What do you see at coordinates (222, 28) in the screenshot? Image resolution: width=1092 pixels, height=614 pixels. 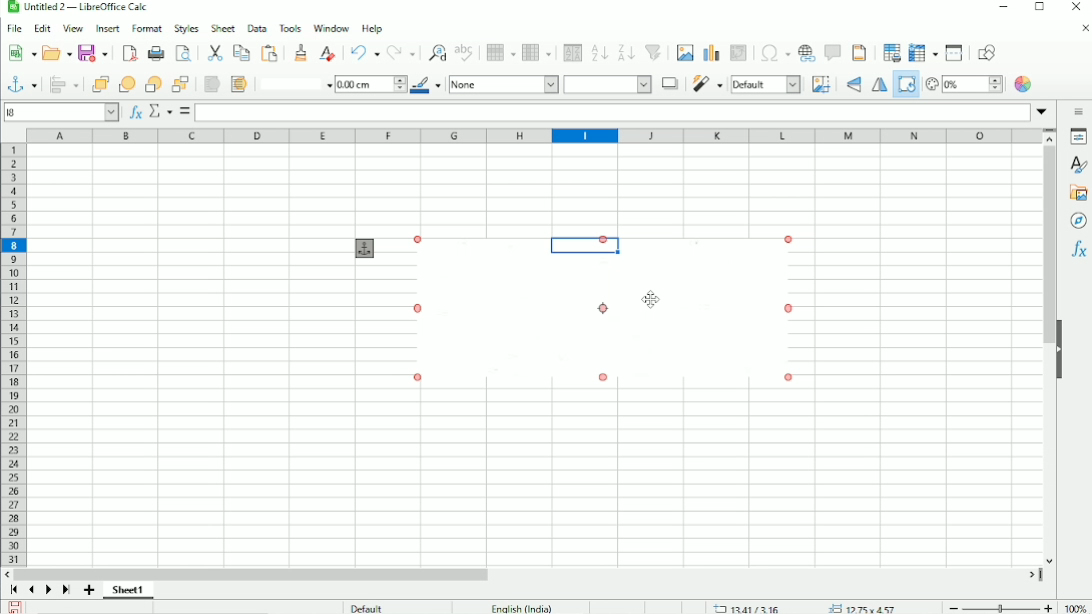 I see `Sheet` at bounding box center [222, 28].